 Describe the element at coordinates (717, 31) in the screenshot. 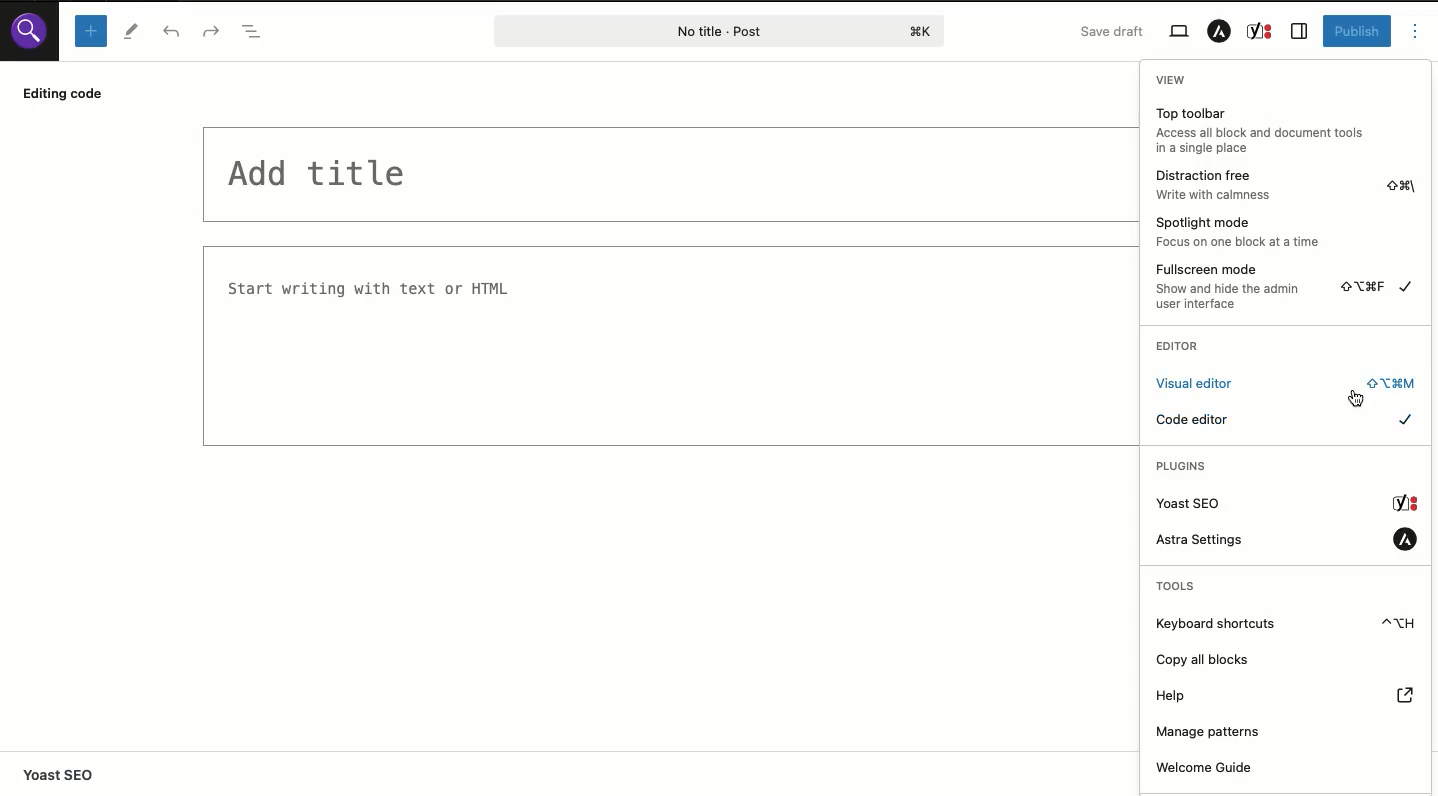

I see `Post` at that location.